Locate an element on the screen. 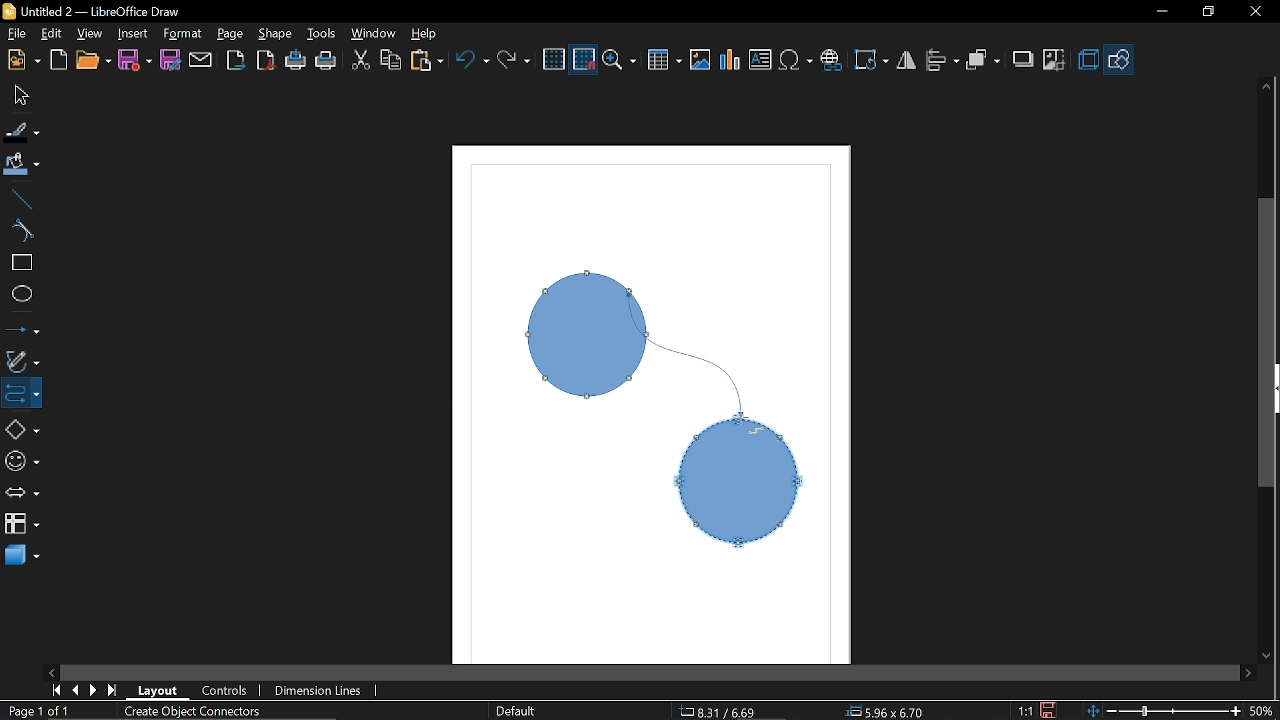 The width and height of the screenshot is (1280, 720). Current window is located at coordinates (92, 11).